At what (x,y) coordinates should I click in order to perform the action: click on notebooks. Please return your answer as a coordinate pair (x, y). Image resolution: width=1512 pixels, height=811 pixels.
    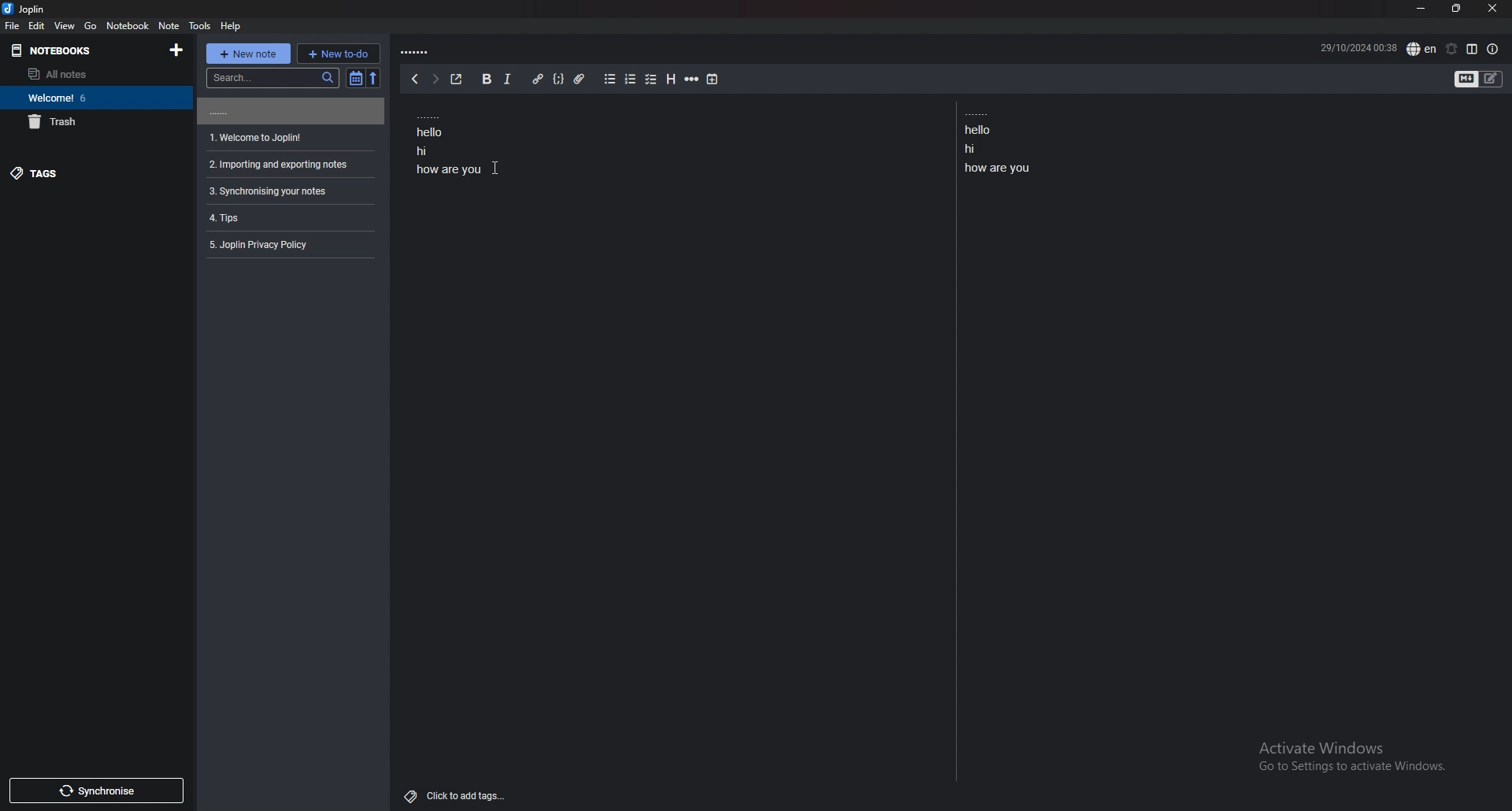
    Looking at the image, I should click on (83, 50).